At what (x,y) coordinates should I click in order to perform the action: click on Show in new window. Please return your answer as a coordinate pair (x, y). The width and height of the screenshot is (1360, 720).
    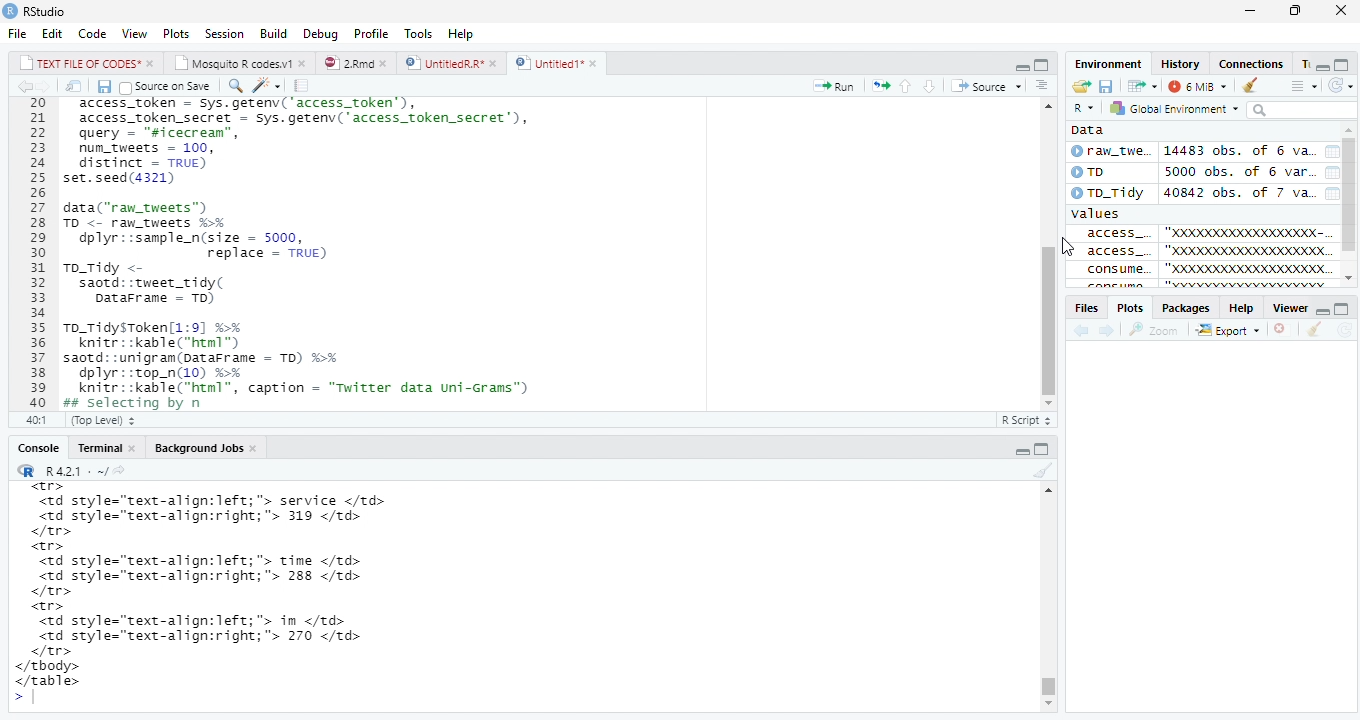
    Looking at the image, I should click on (1137, 86).